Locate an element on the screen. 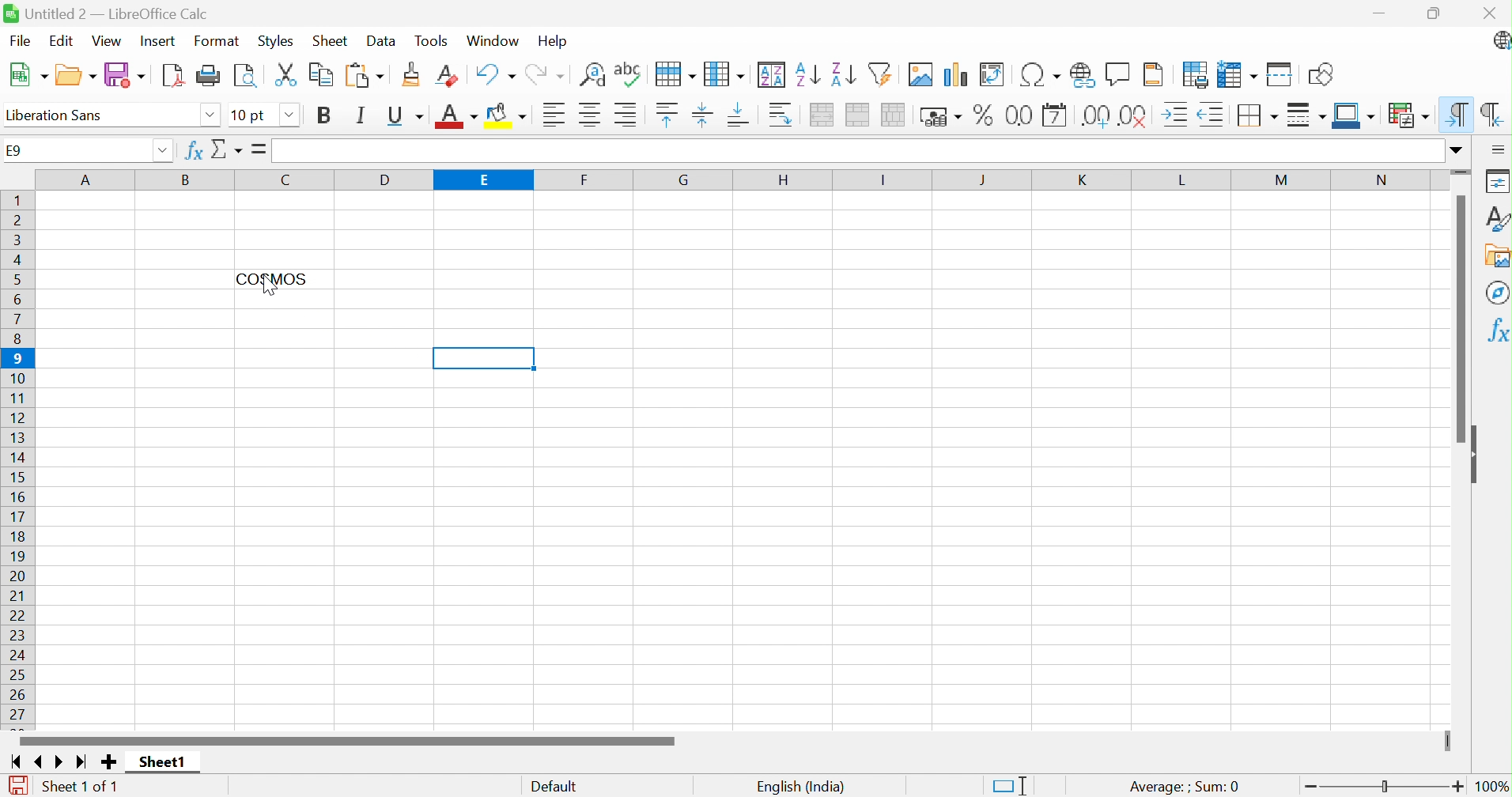  Scroll bar is located at coordinates (347, 738).